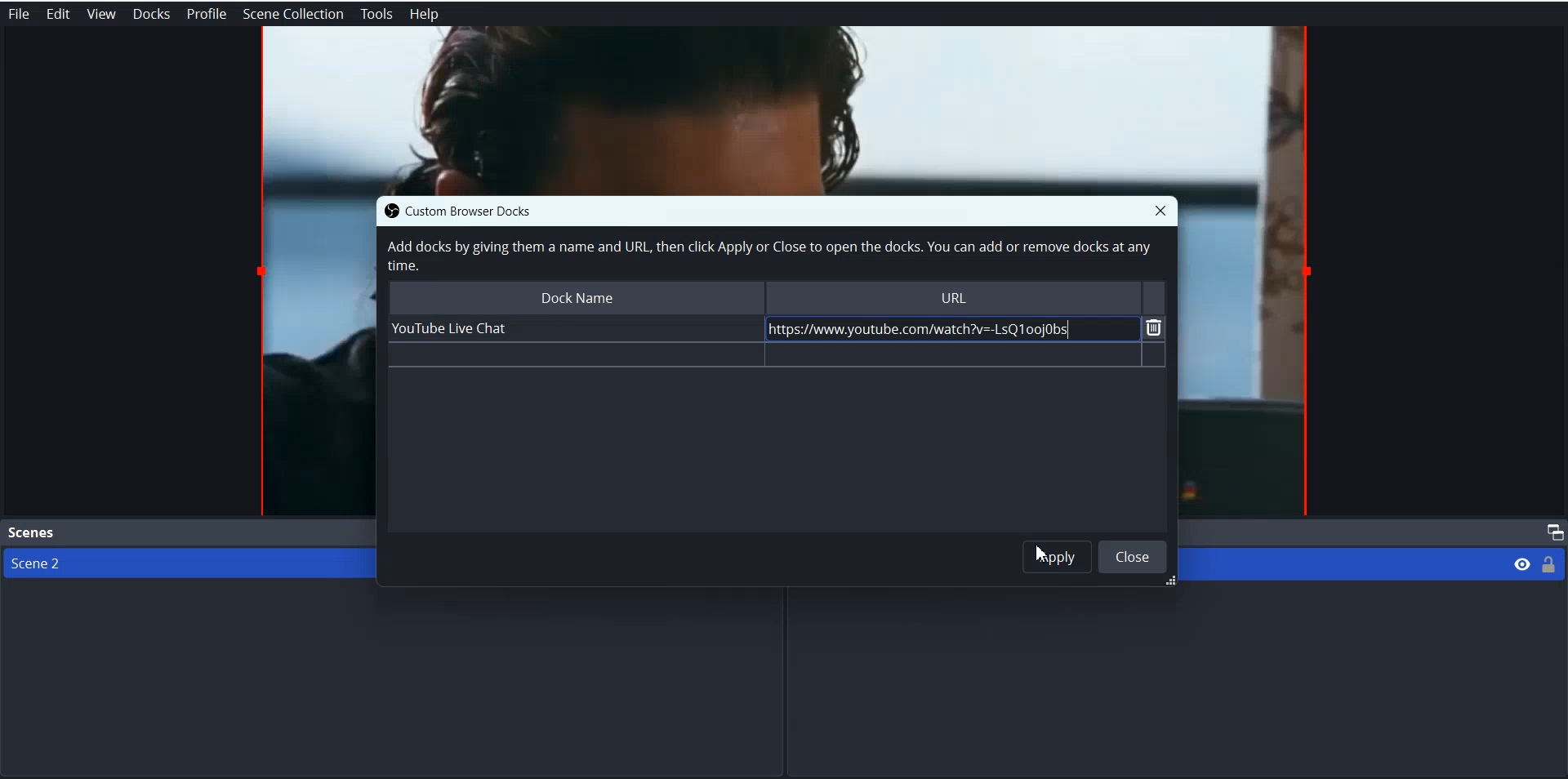  Describe the element at coordinates (294, 14) in the screenshot. I see `Scene Collection` at that location.